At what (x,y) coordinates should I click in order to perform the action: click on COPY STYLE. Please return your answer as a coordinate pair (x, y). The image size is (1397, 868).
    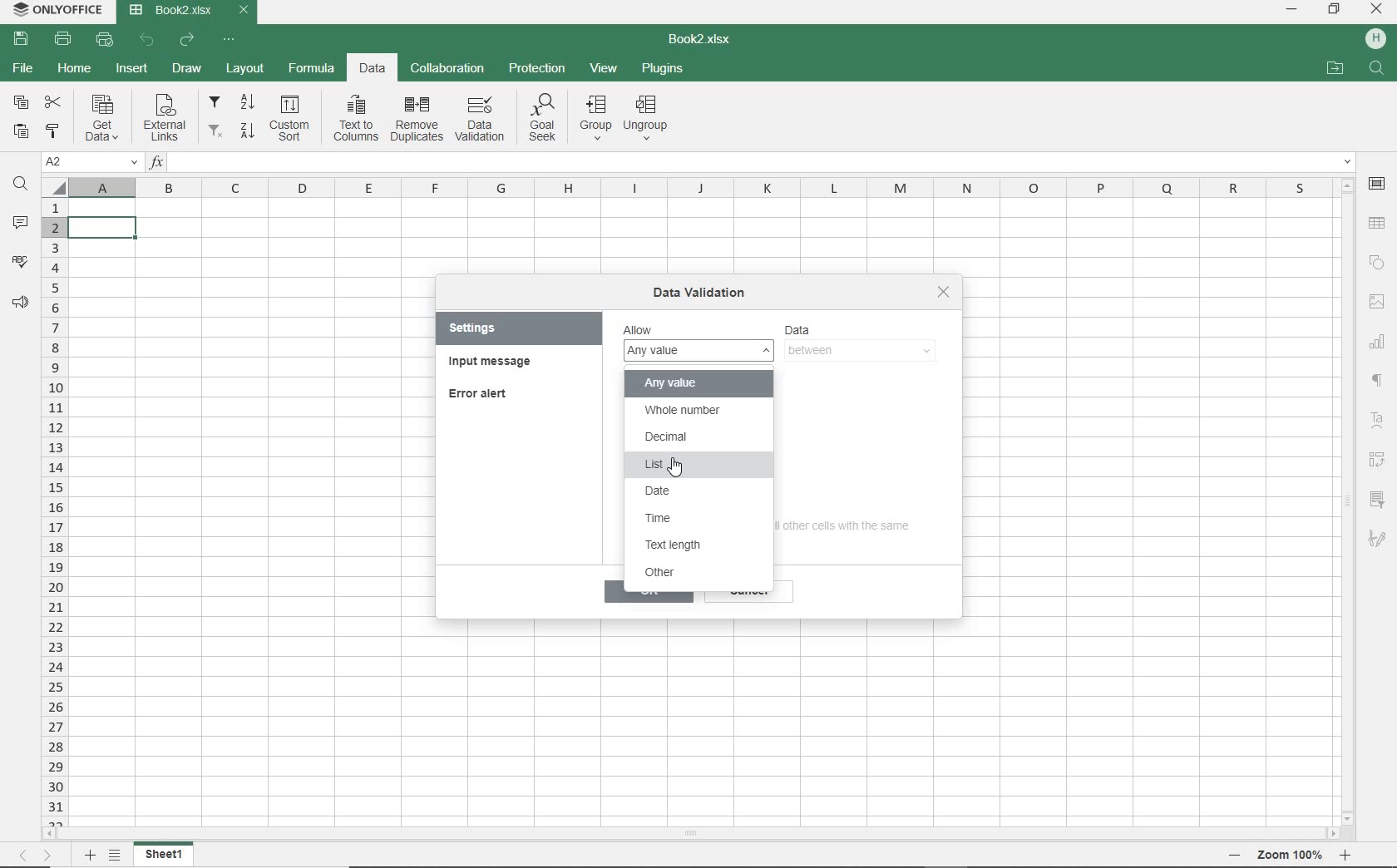
    Looking at the image, I should click on (54, 132).